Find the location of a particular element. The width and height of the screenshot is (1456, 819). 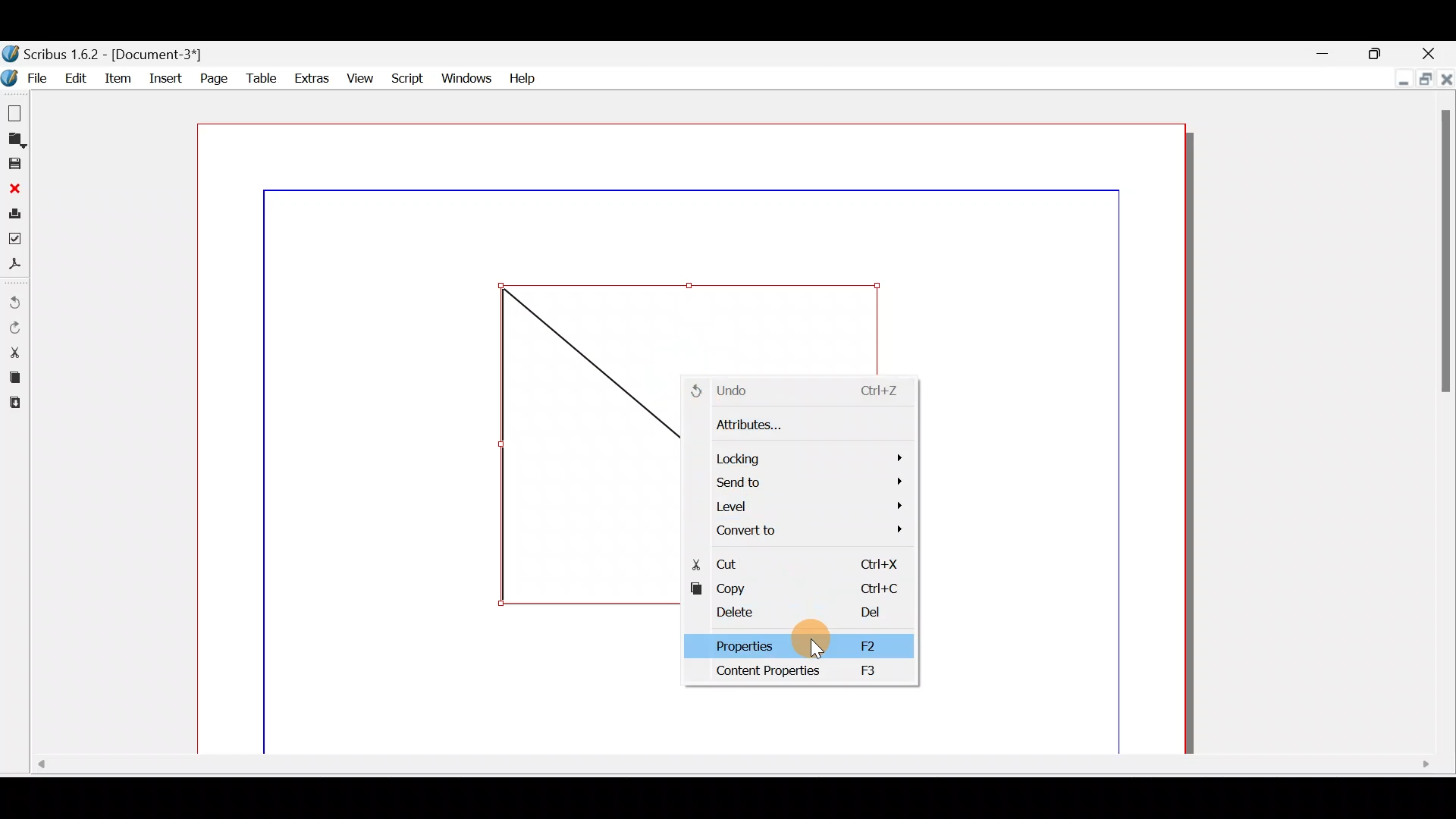

Table is located at coordinates (259, 77).